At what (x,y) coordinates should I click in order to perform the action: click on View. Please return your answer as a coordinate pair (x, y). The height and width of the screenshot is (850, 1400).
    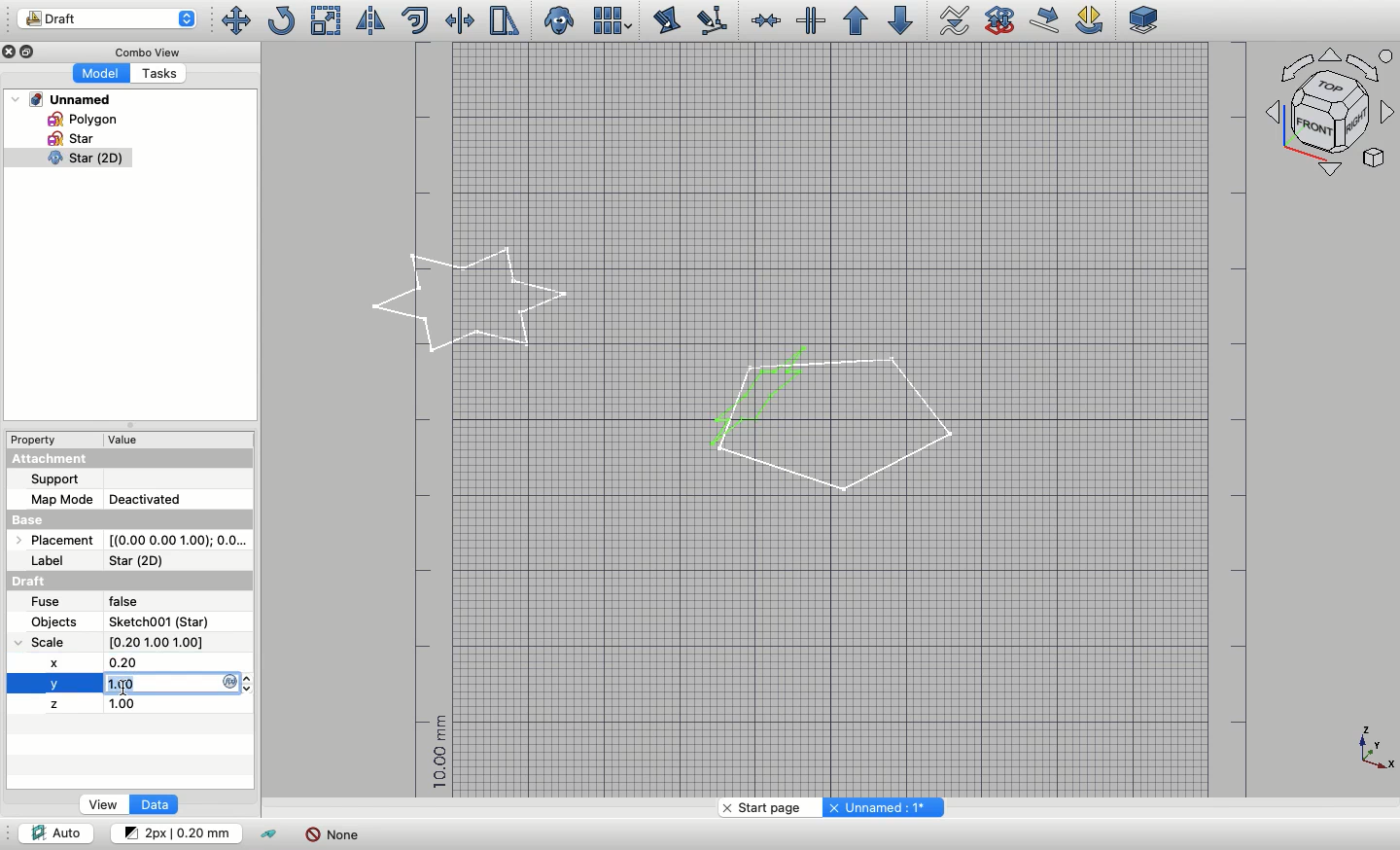
    Looking at the image, I should click on (104, 804).